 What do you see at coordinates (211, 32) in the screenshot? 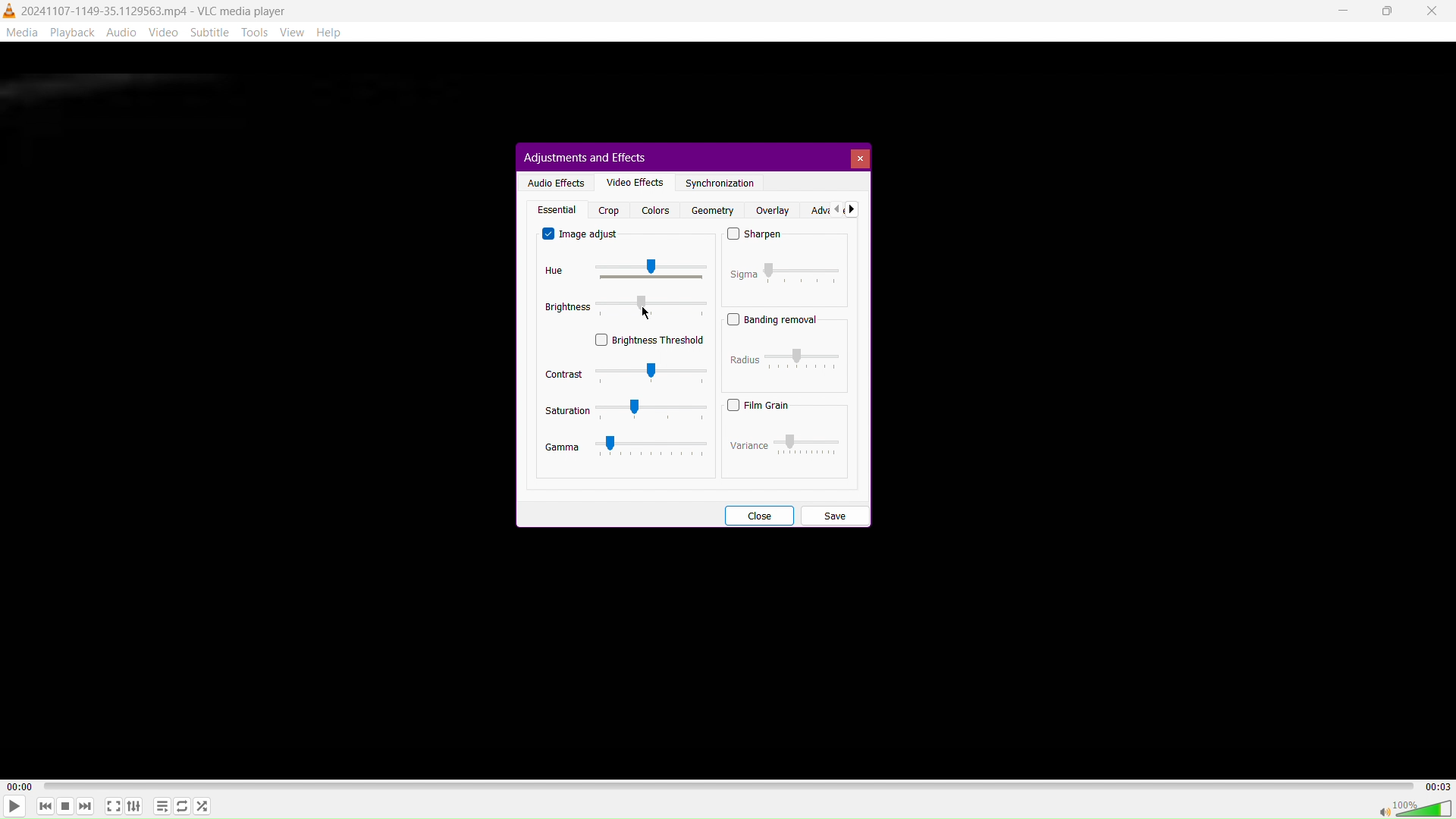
I see `Subtitle` at bounding box center [211, 32].